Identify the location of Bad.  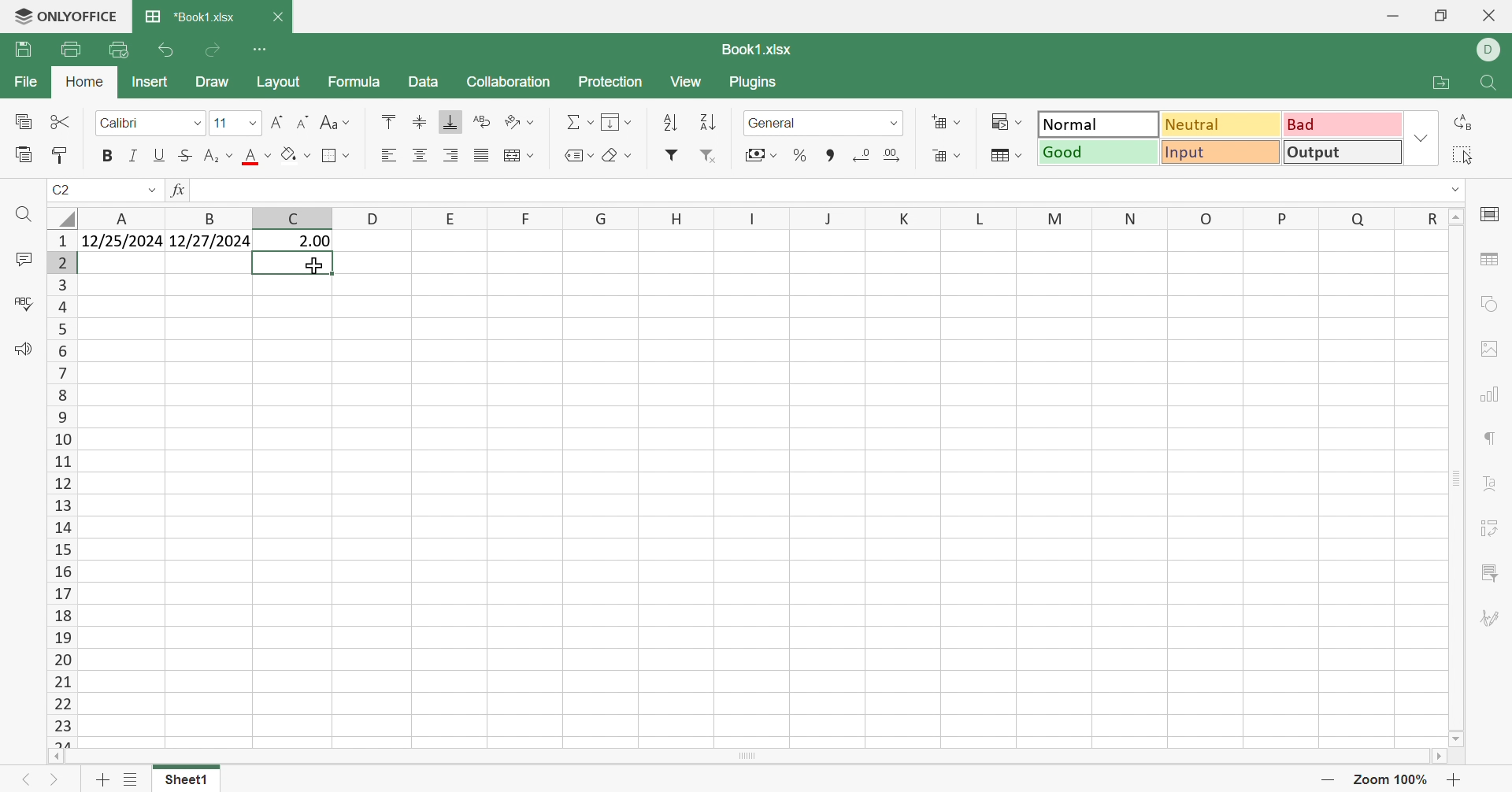
(1343, 124).